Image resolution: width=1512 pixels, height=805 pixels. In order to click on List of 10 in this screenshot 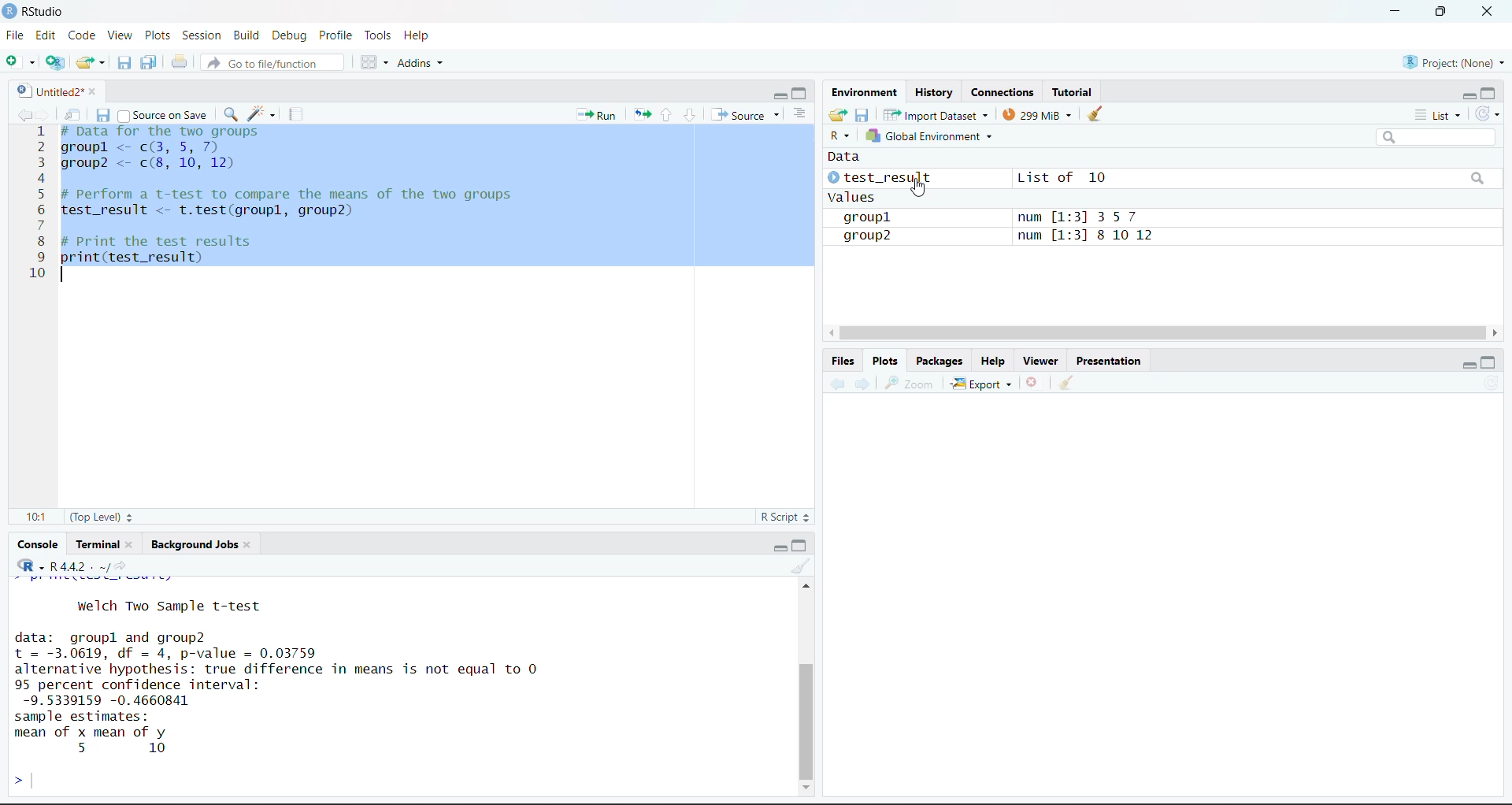, I will do `click(1063, 176)`.